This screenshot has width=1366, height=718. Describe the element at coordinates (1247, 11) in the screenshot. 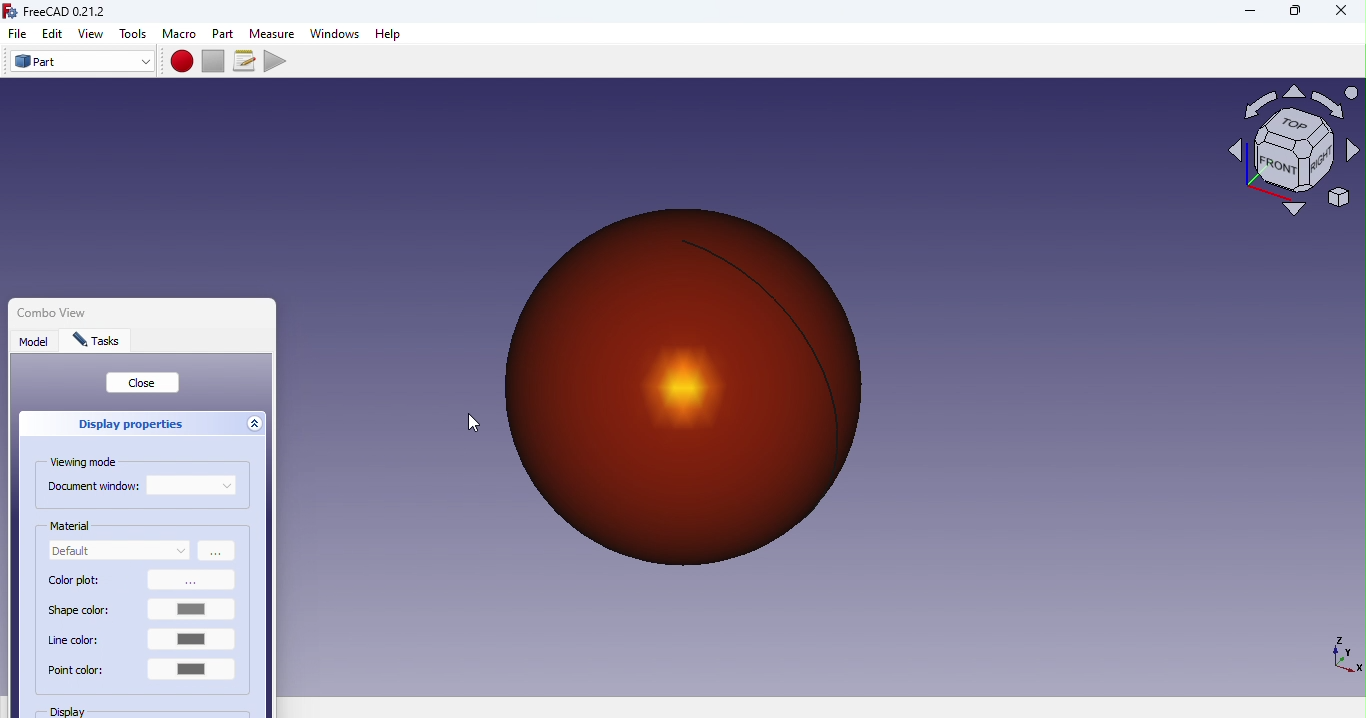

I see `Minimize` at that location.